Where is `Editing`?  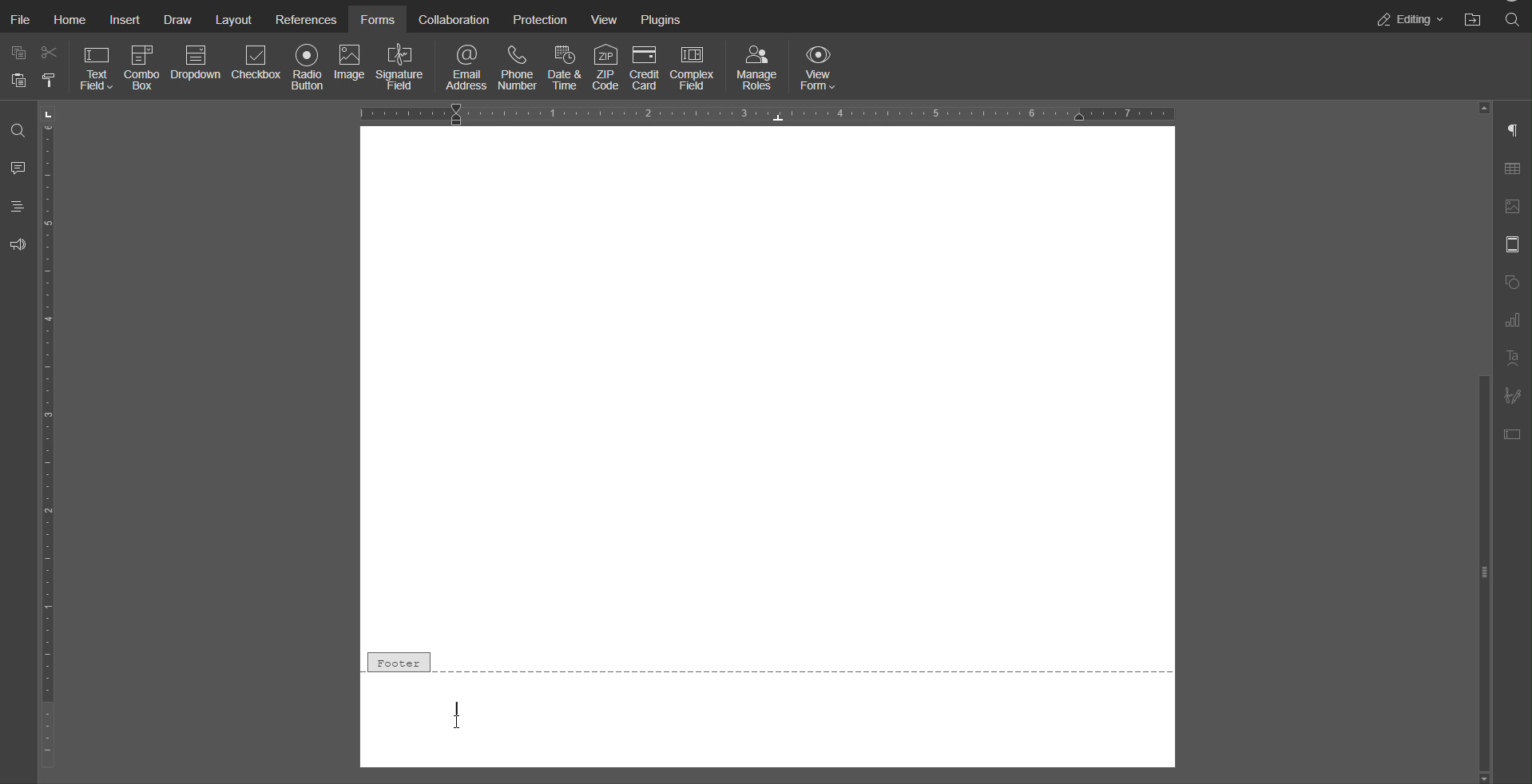 Editing is located at coordinates (1407, 19).